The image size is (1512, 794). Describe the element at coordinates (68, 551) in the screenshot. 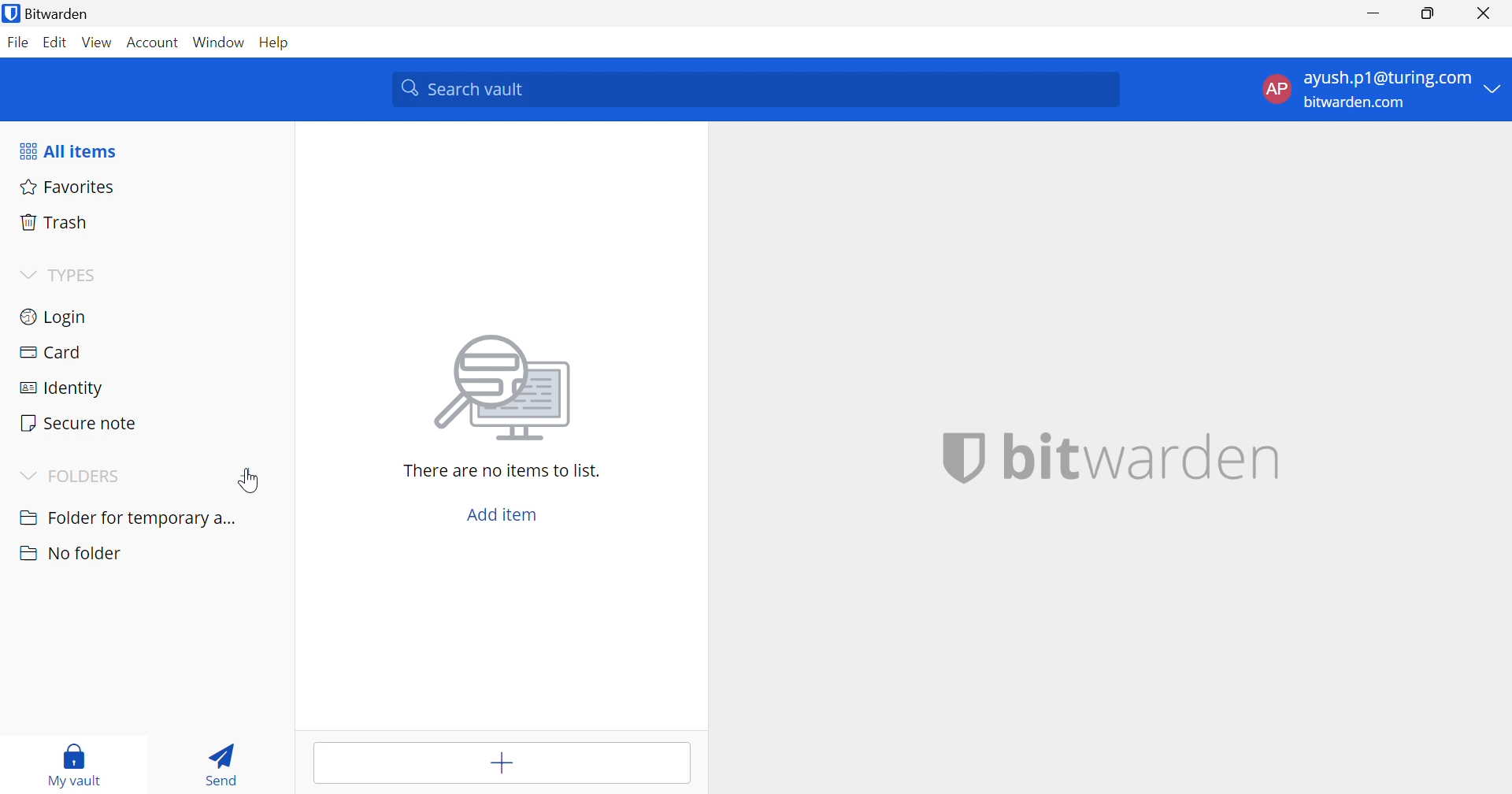

I see `No Folder` at that location.